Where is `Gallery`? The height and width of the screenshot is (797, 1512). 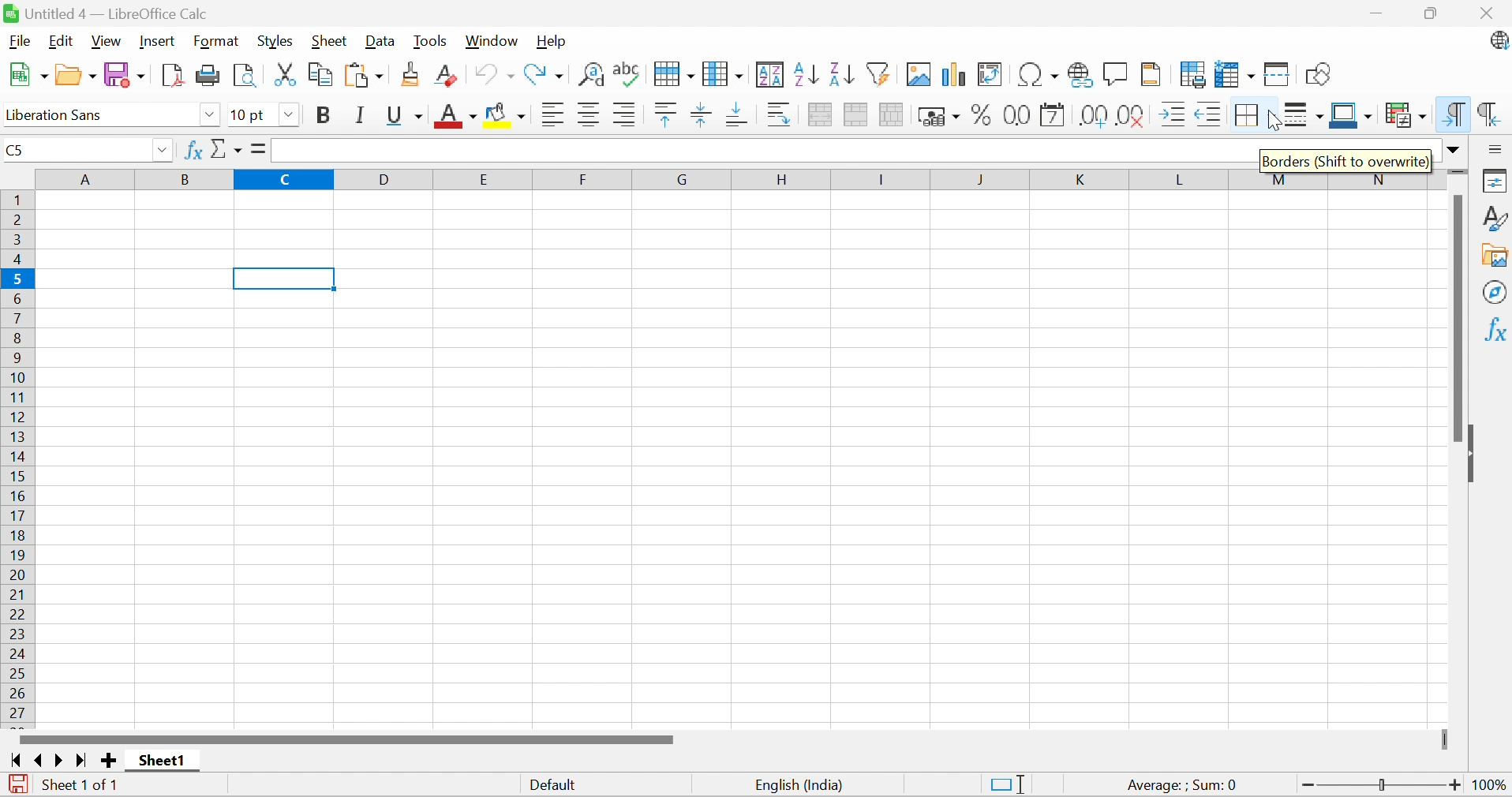 Gallery is located at coordinates (1496, 256).